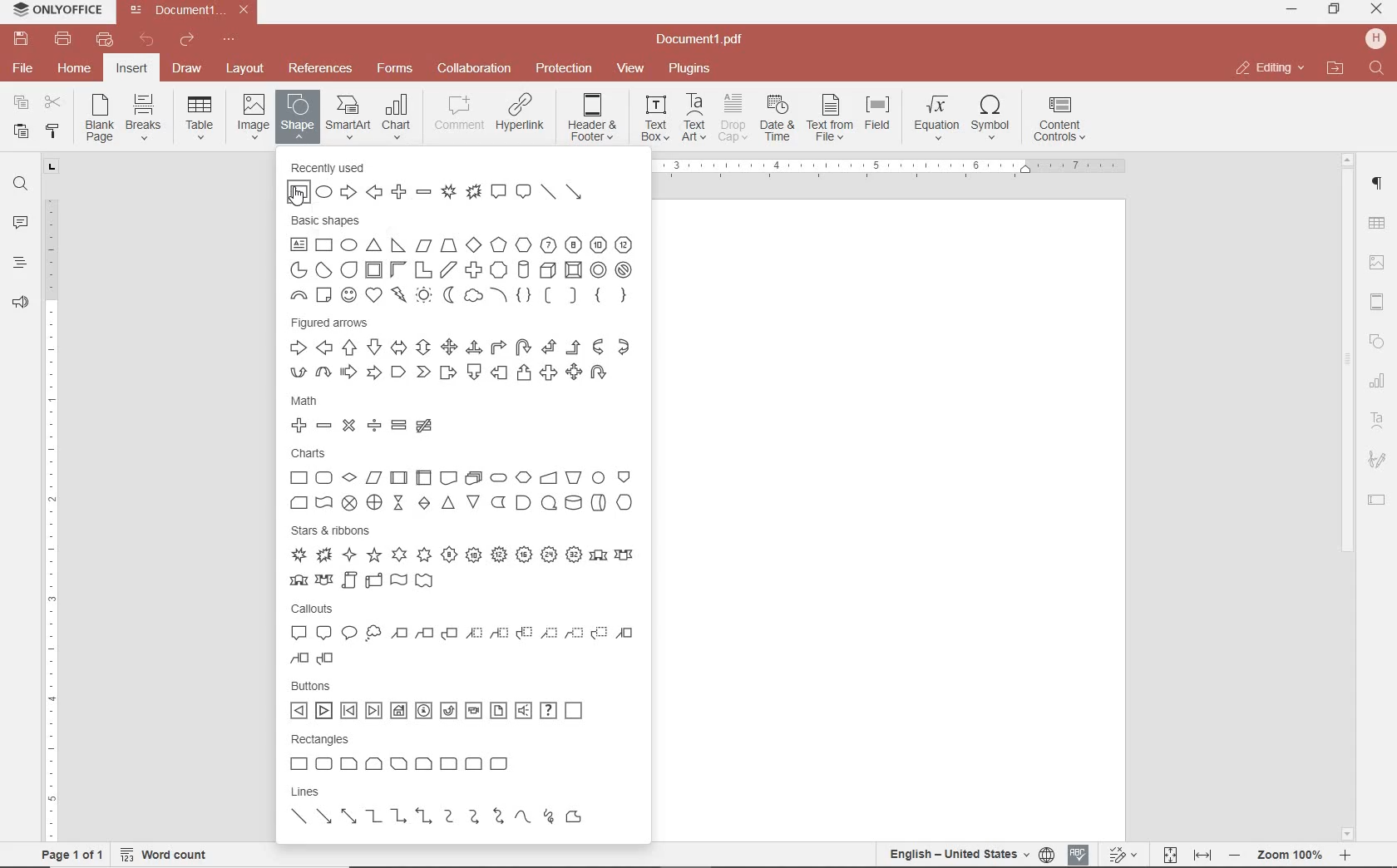 This screenshot has width=1397, height=868. What do you see at coordinates (1377, 461) in the screenshot?
I see `SIGNATURE` at bounding box center [1377, 461].